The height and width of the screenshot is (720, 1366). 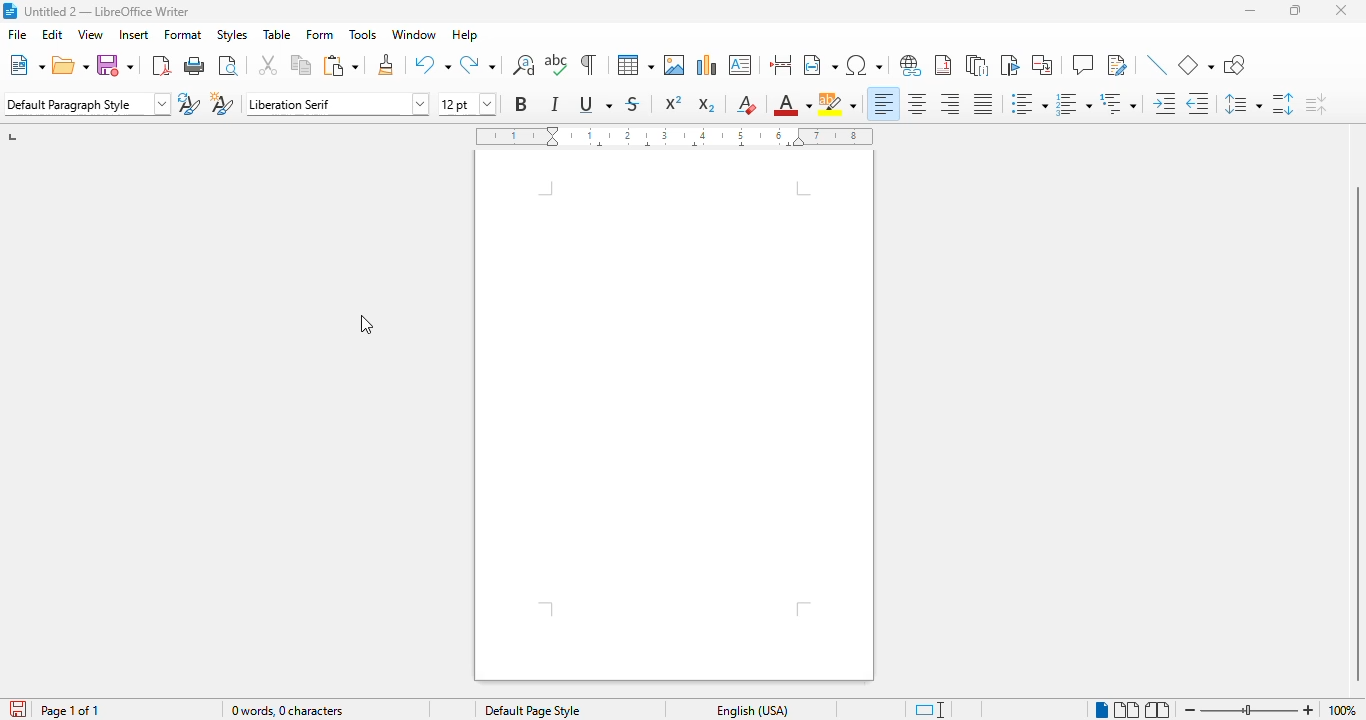 I want to click on insert field, so click(x=820, y=65).